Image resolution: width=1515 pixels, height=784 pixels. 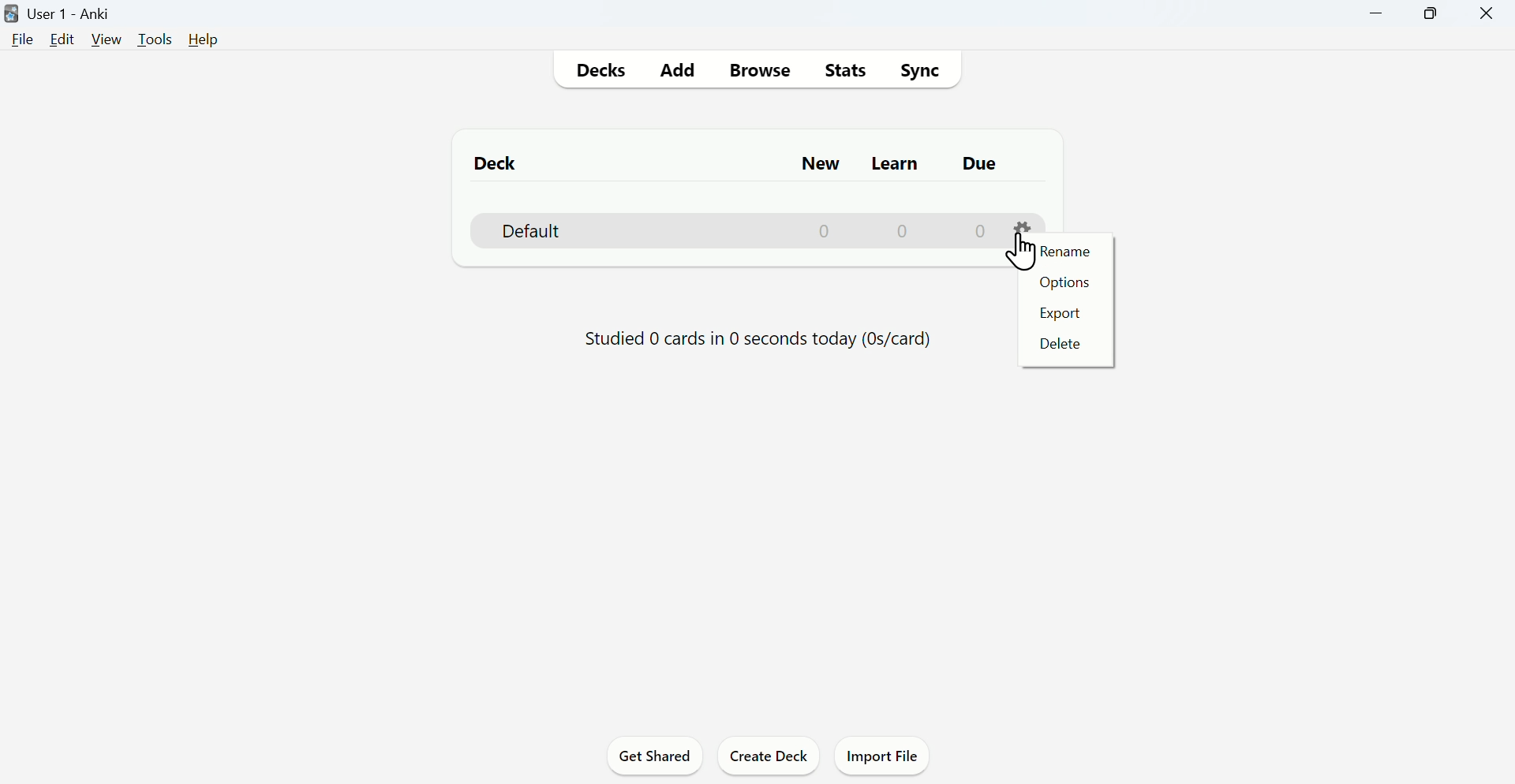 What do you see at coordinates (883, 755) in the screenshot?
I see `Import File` at bounding box center [883, 755].